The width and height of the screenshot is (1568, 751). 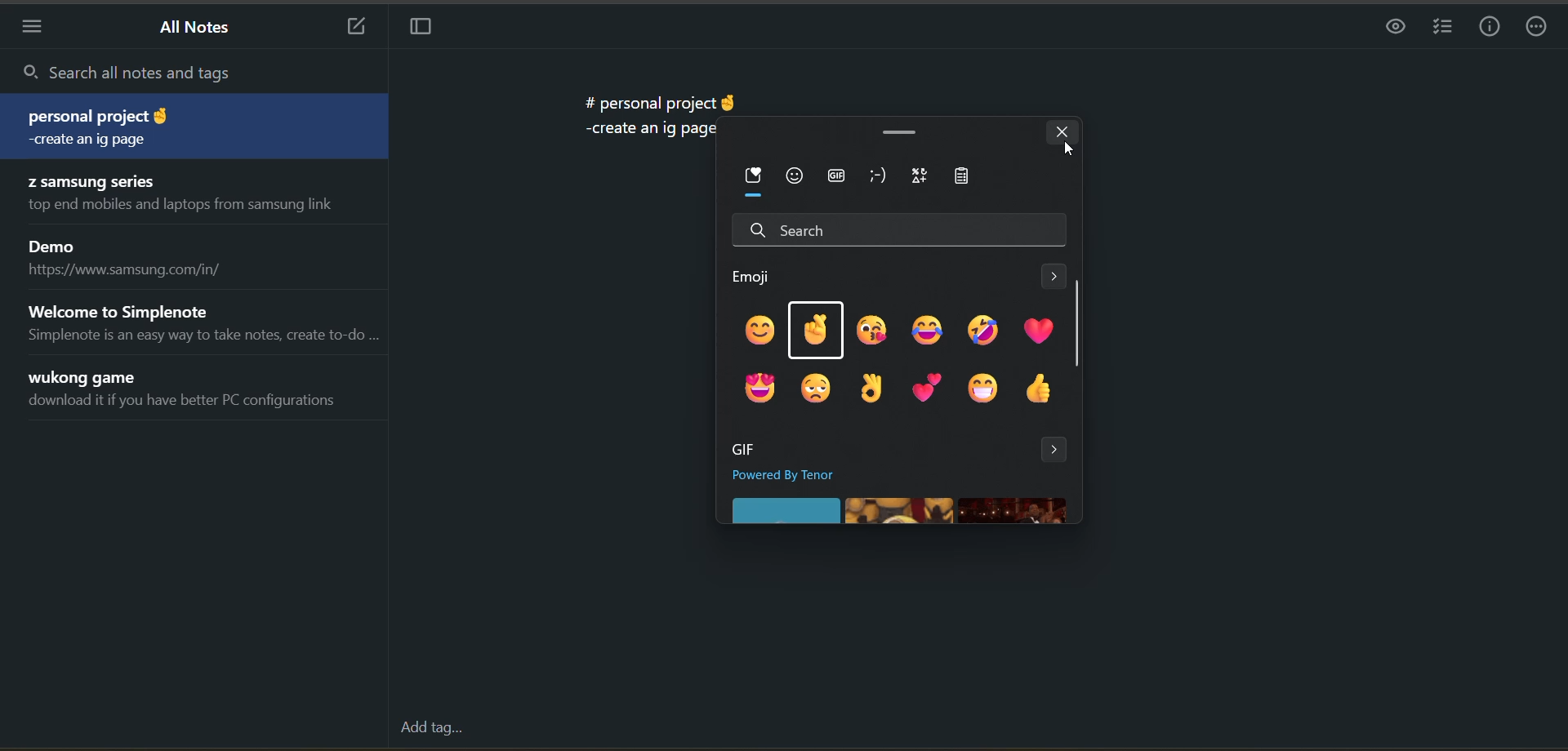 I want to click on note title and preview, so click(x=189, y=388).